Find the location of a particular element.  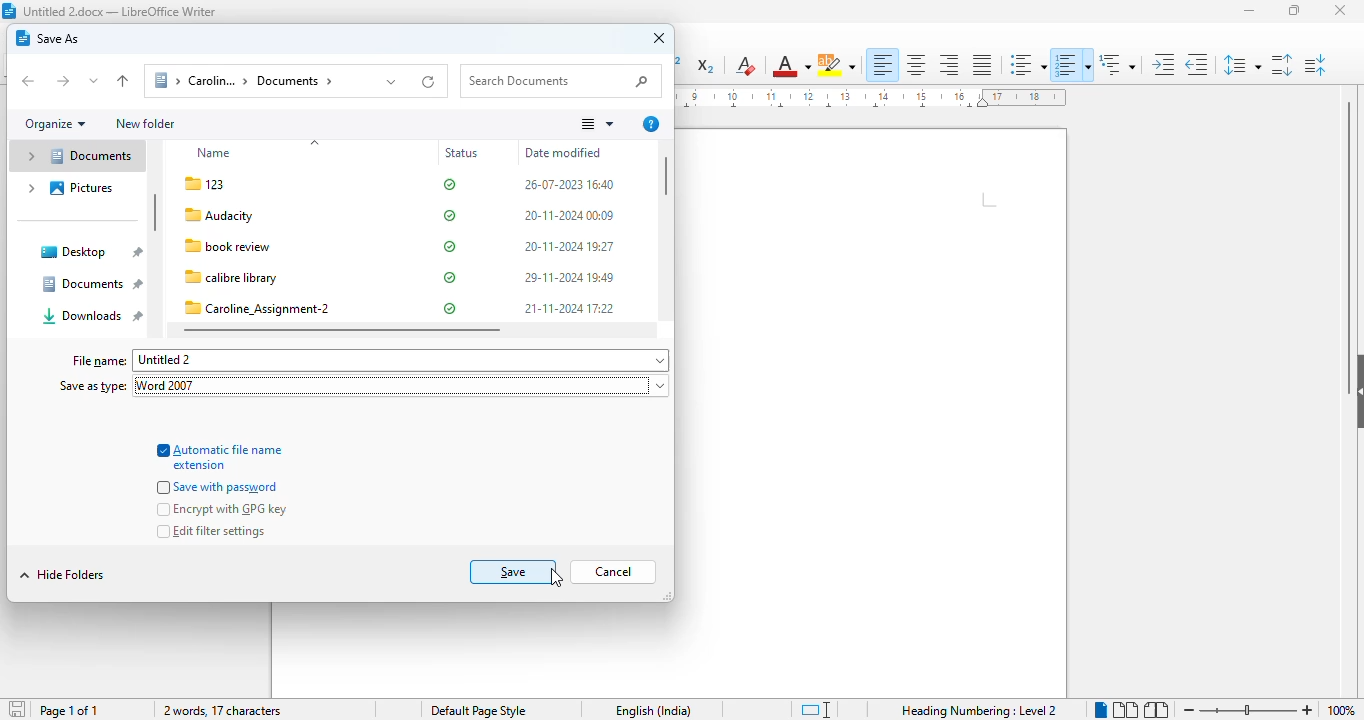

book view is located at coordinates (1155, 709).